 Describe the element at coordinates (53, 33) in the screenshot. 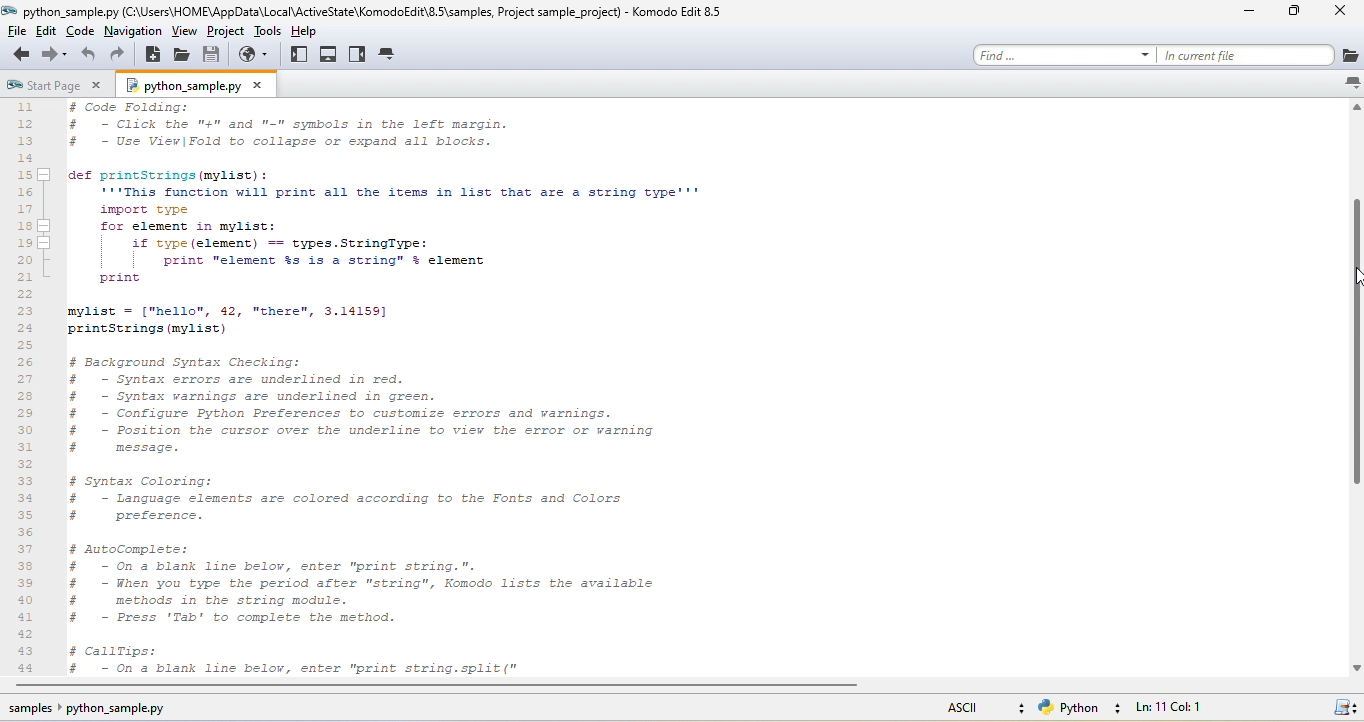

I see `edit` at that location.